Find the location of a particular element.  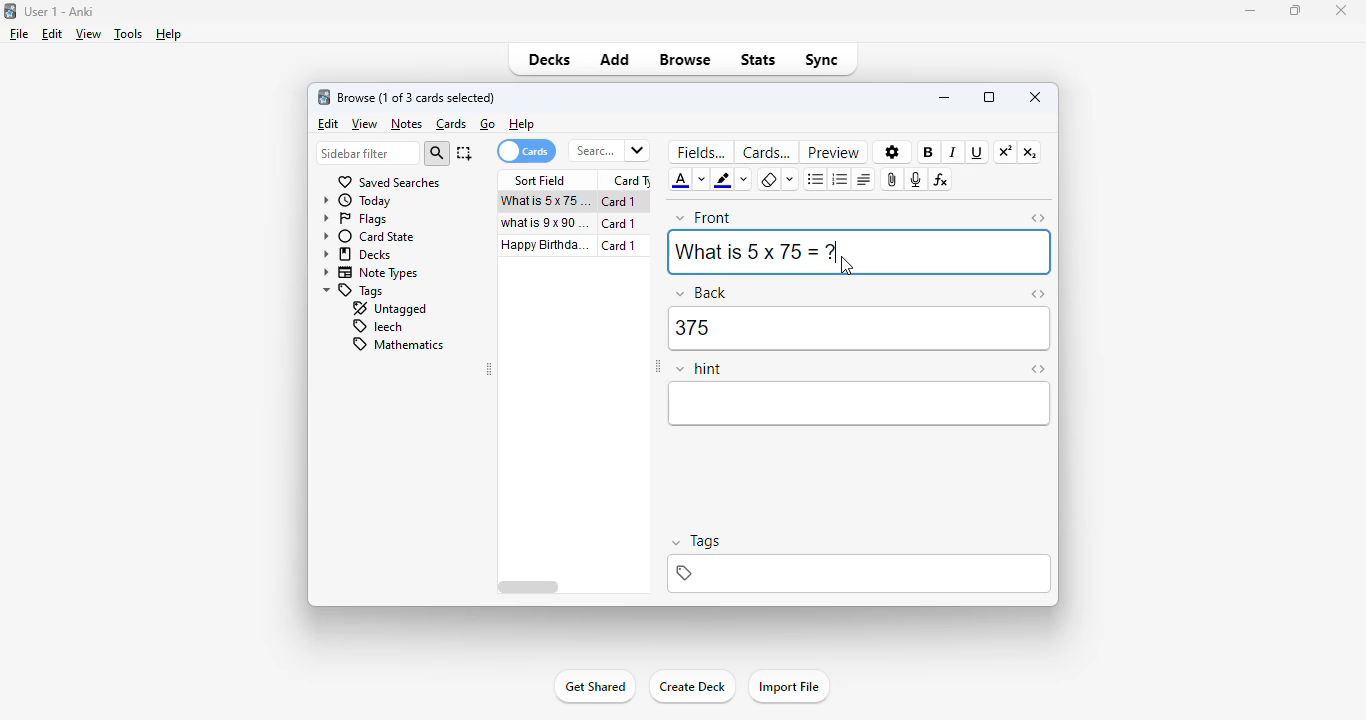

select is located at coordinates (464, 153).